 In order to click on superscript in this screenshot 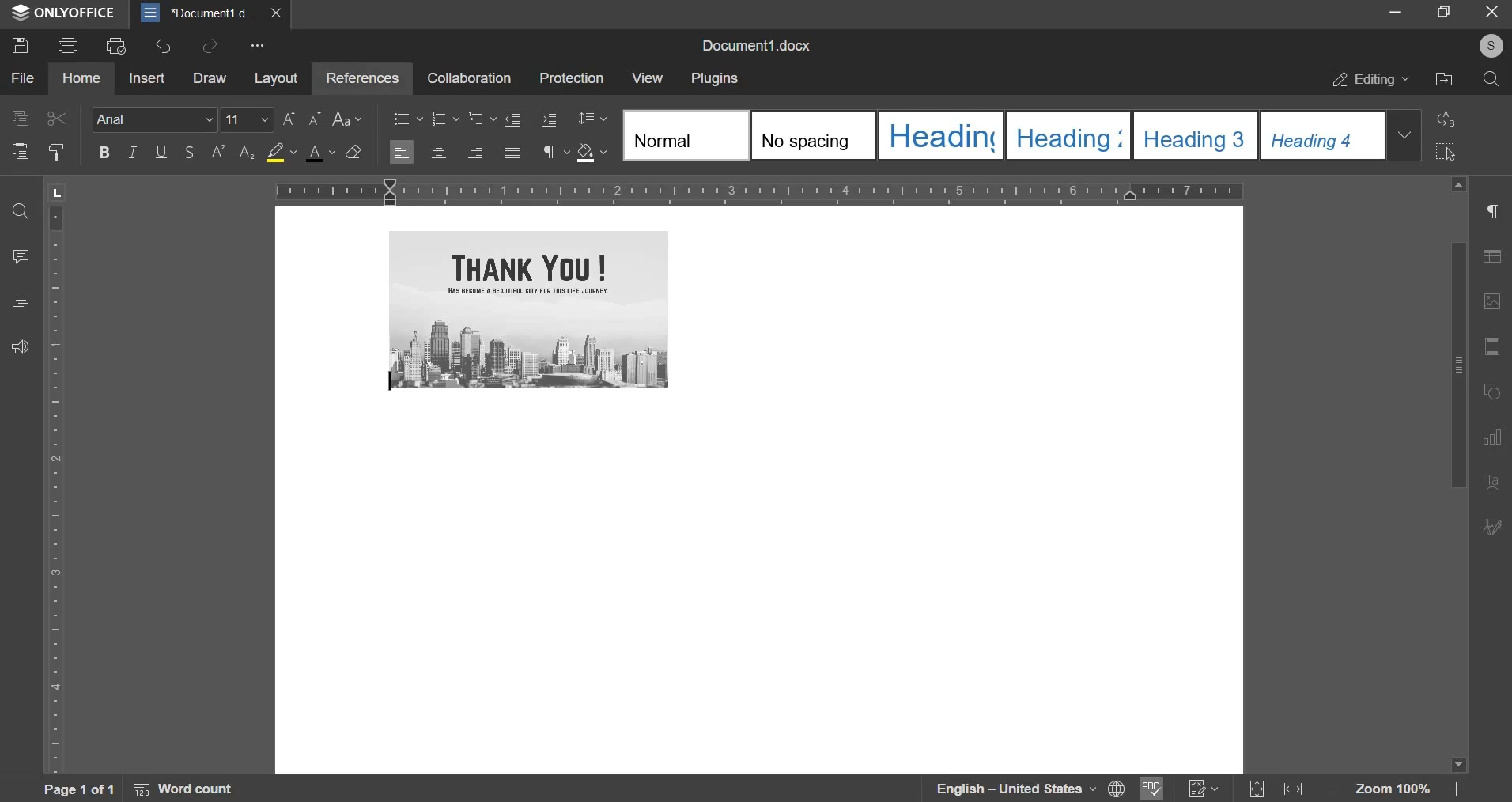, I will do `click(219, 151)`.